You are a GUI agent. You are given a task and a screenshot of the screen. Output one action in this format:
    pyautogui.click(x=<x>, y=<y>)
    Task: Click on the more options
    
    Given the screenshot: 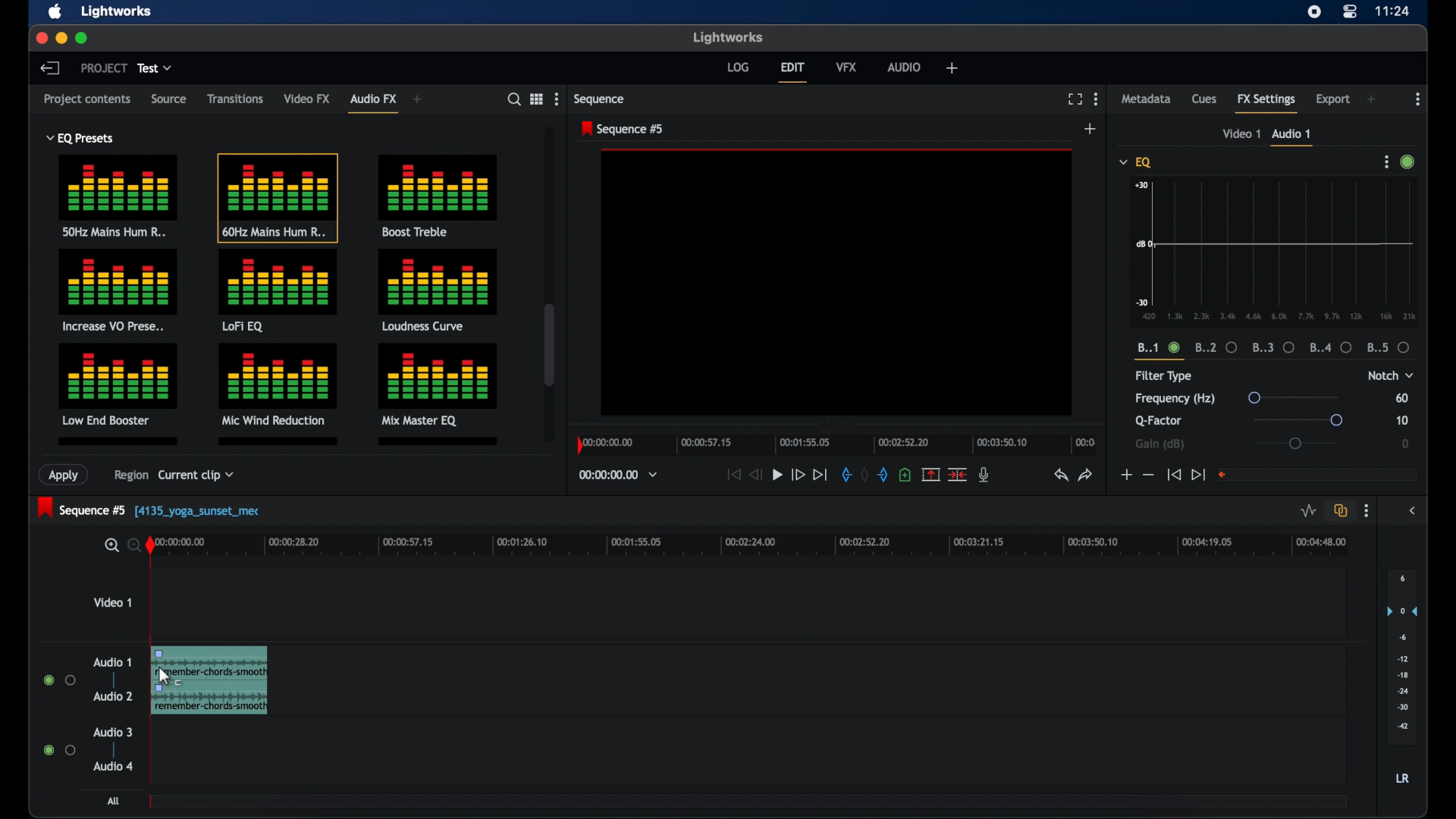 What is the action you would take?
    pyautogui.click(x=1096, y=99)
    